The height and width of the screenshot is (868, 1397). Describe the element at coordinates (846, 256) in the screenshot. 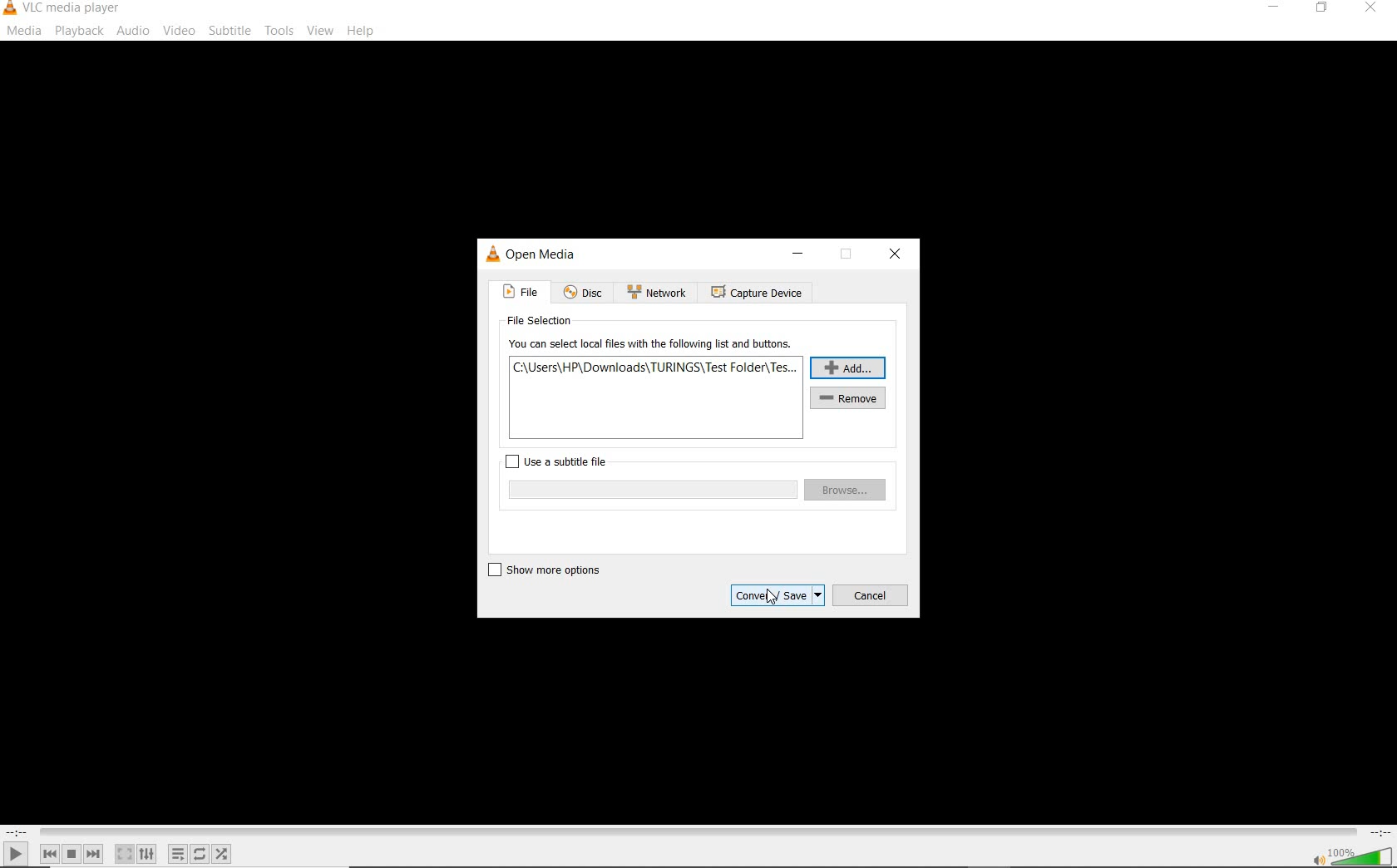

I see `restore down` at that location.